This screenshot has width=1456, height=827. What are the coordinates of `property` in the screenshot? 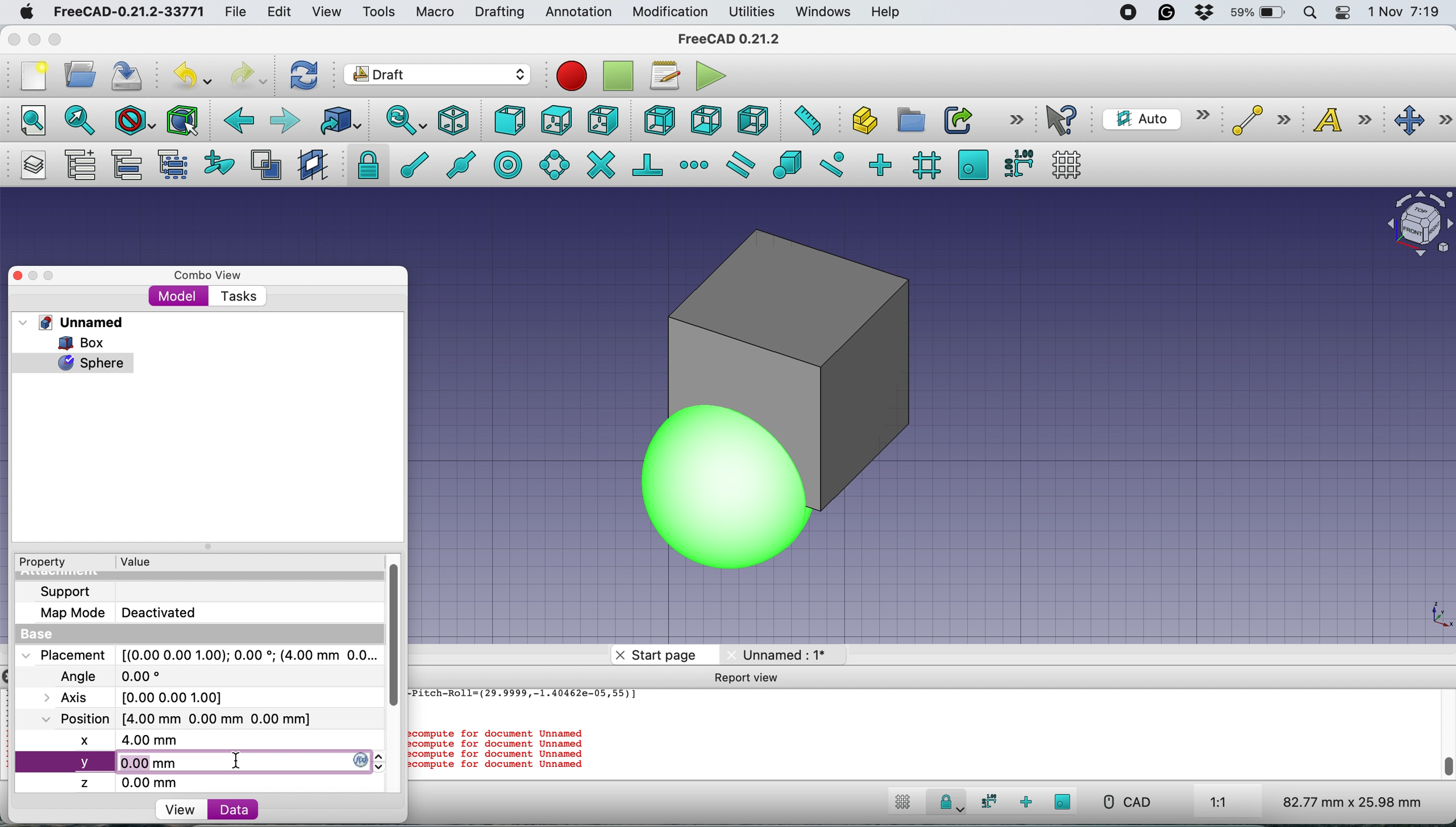 It's located at (51, 562).